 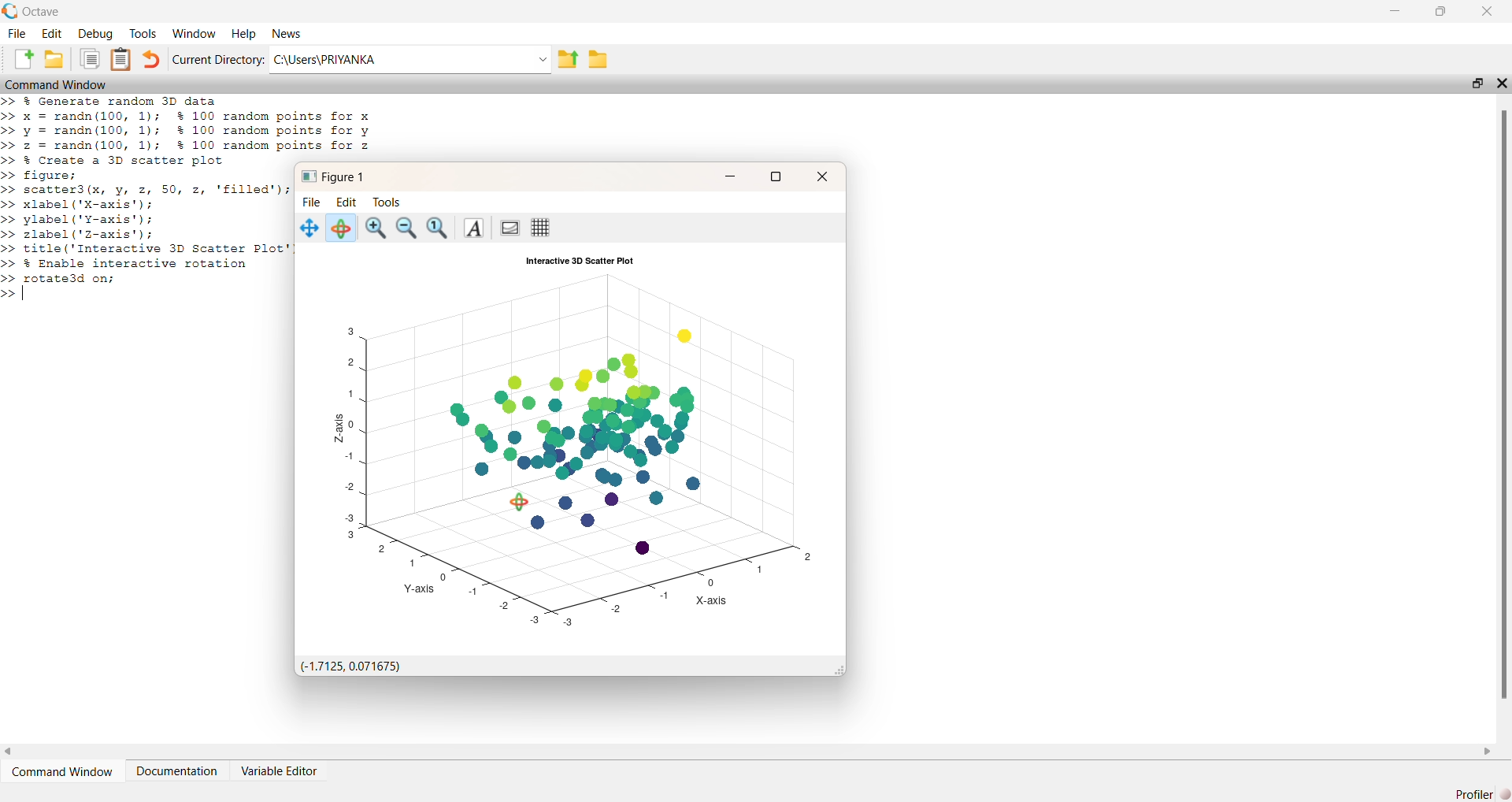 I want to click on clipboard, so click(x=90, y=58).